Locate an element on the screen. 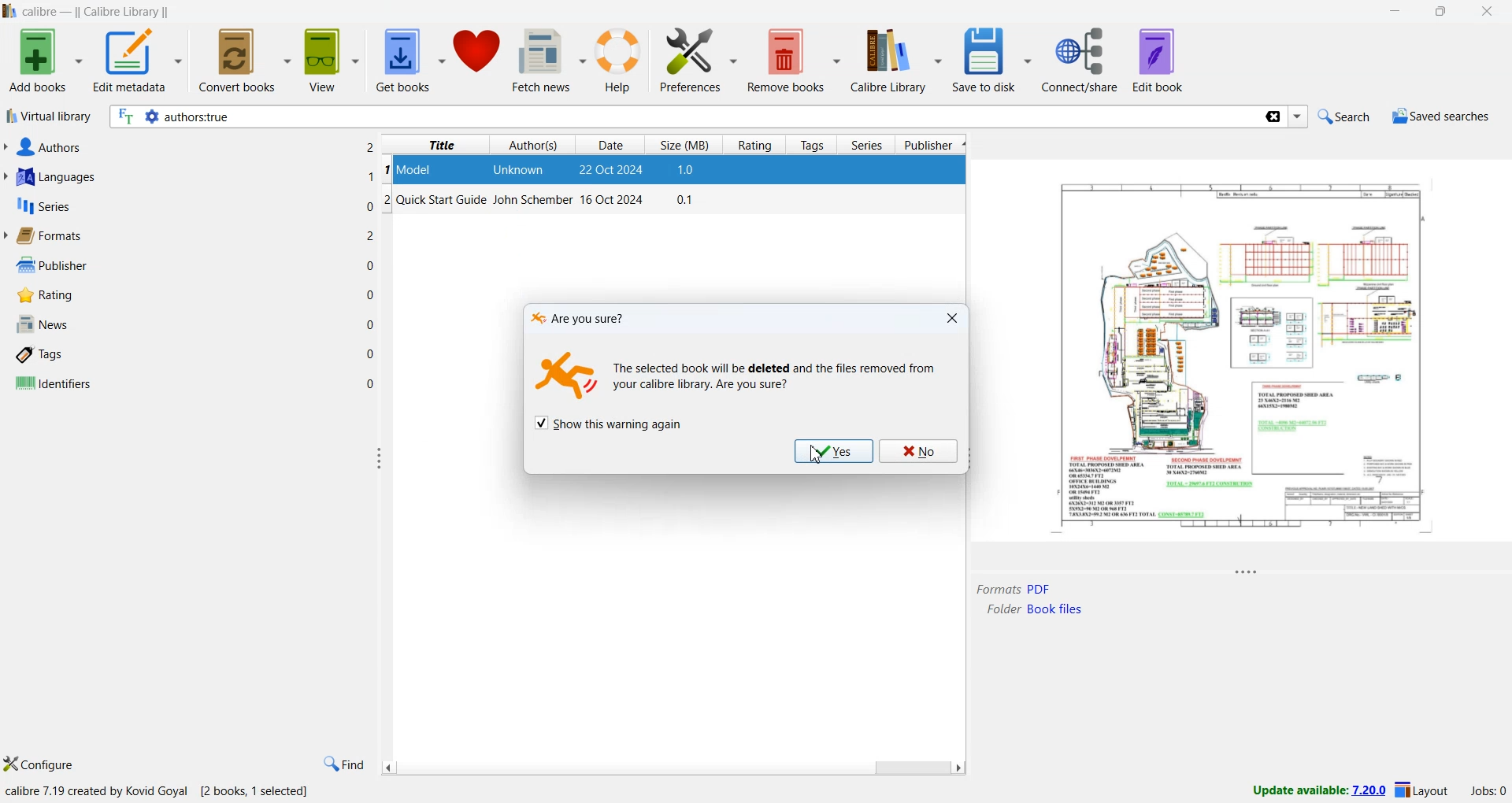 The height and width of the screenshot is (803, 1512). view is located at coordinates (333, 61).